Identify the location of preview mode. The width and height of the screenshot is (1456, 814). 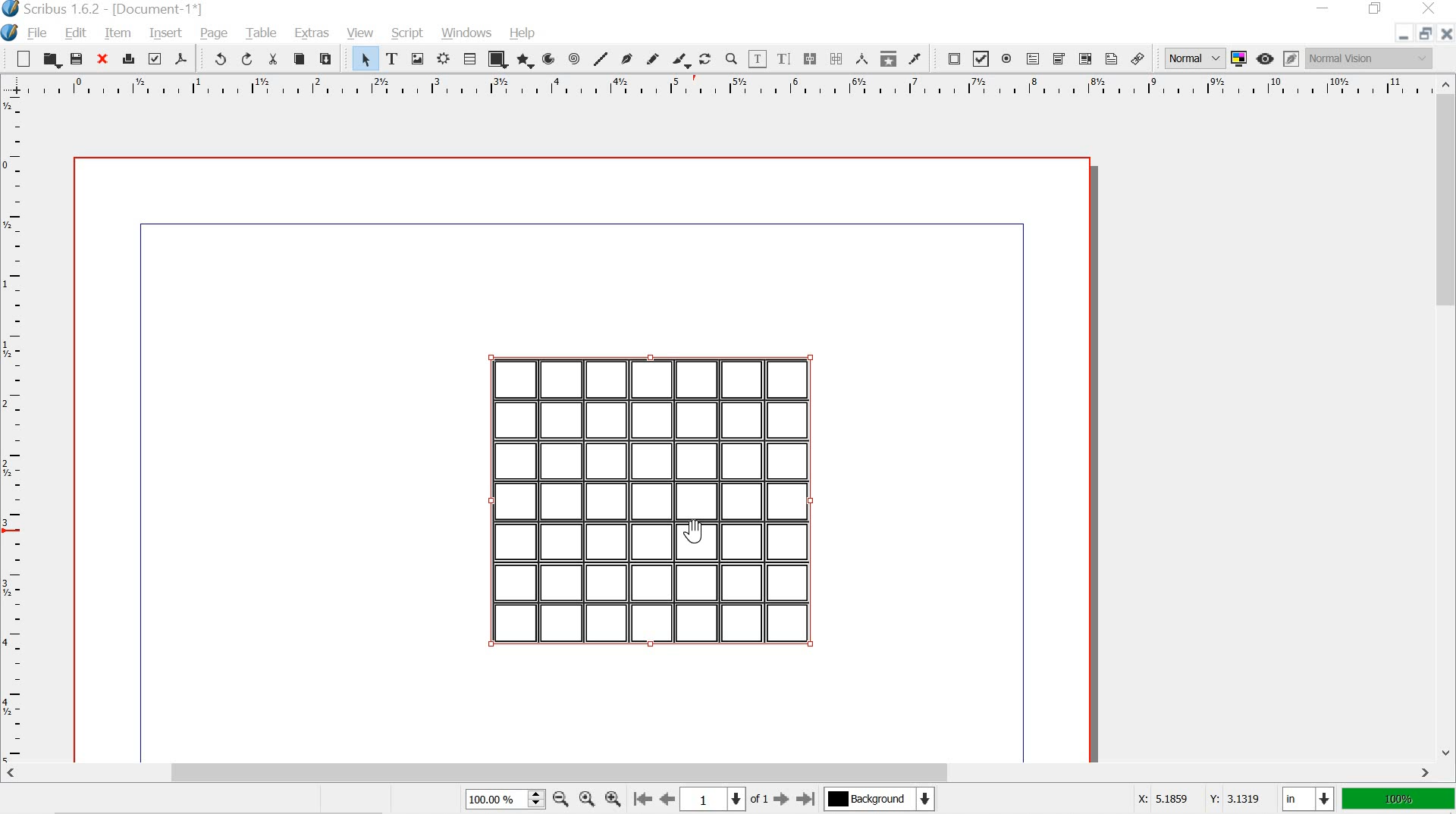
(1265, 59).